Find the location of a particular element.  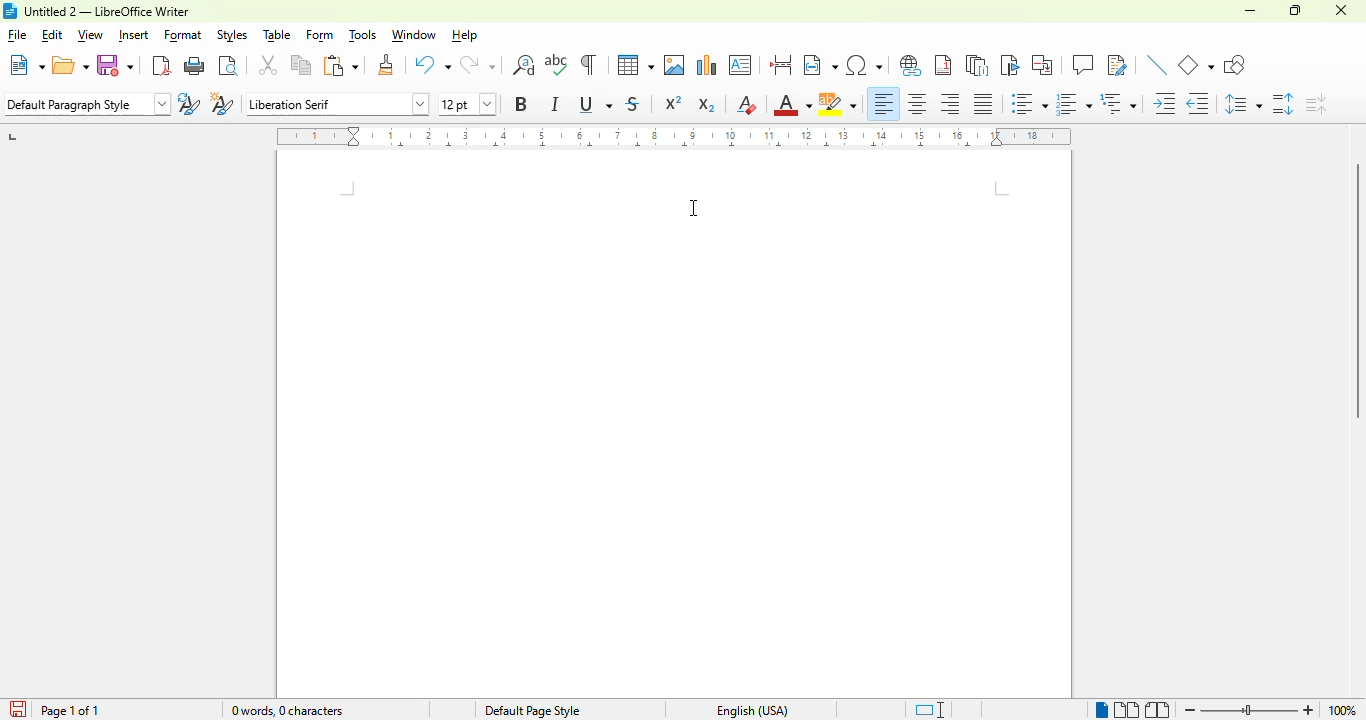

multi-page view is located at coordinates (1126, 710).